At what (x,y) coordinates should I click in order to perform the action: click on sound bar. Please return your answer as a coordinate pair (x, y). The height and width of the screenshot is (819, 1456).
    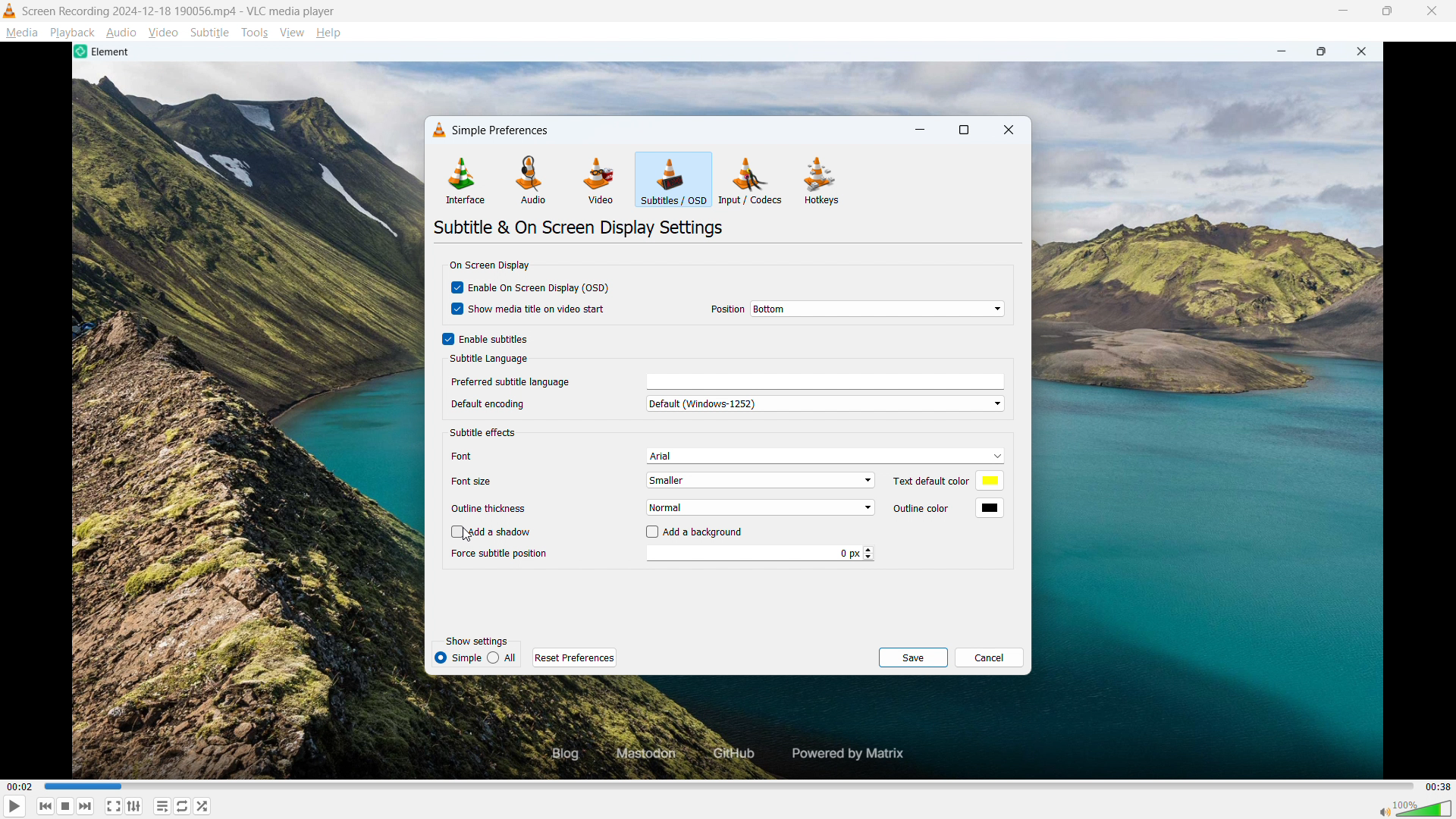
    Looking at the image, I should click on (1414, 808).